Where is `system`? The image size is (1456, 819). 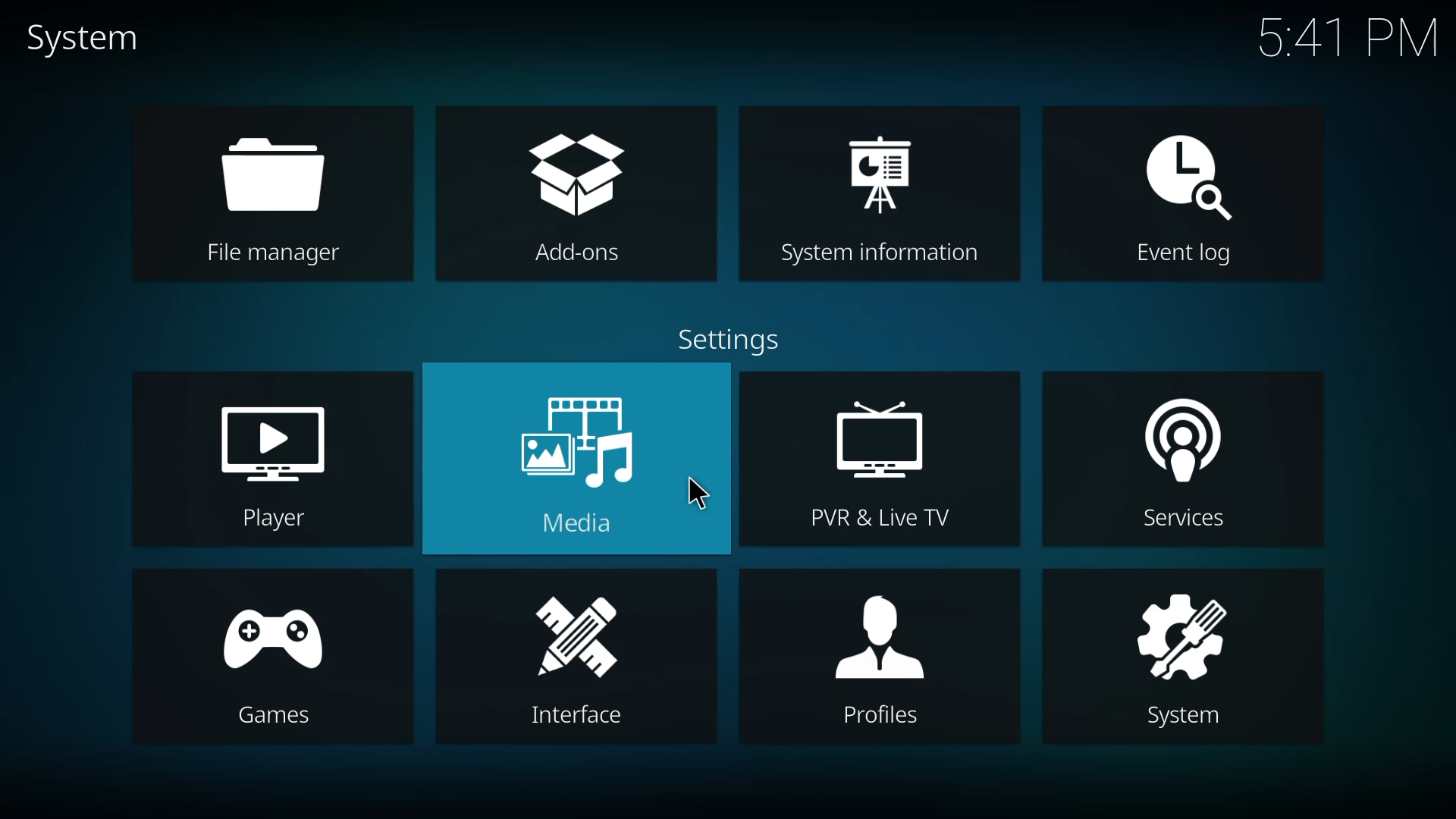
system is located at coordinates (1188, 657).